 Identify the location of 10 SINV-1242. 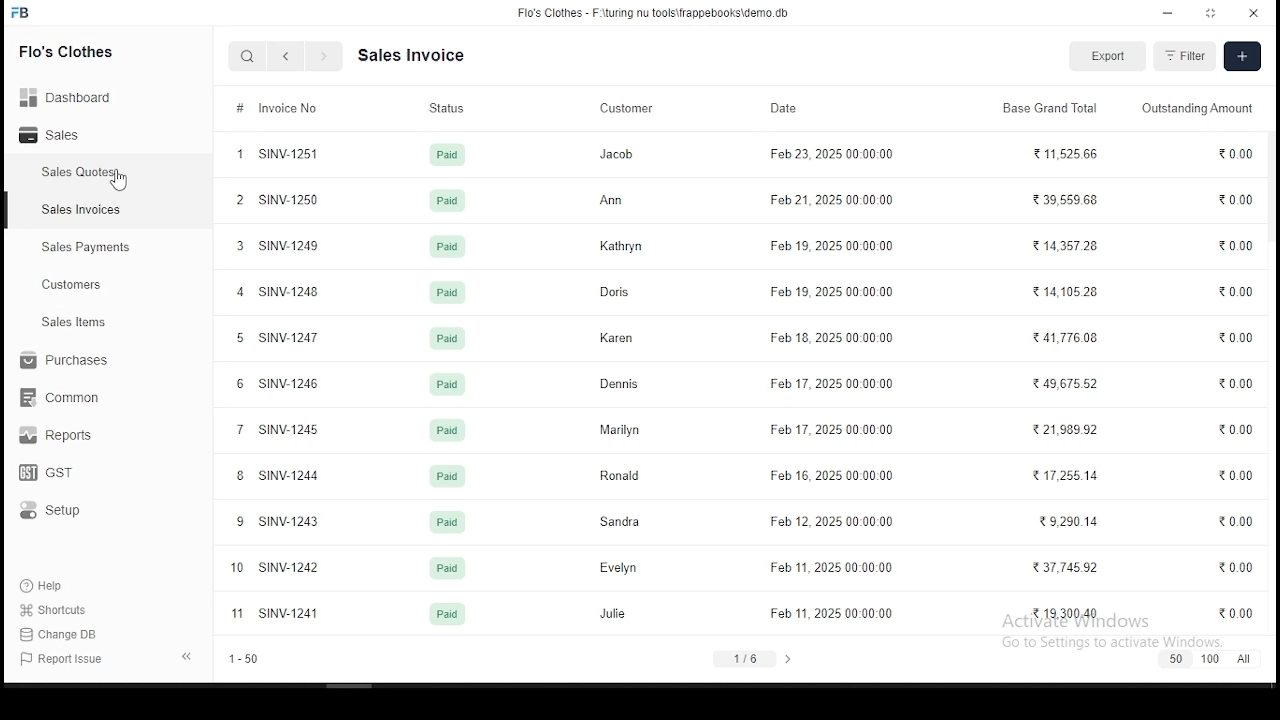
(278, 568).